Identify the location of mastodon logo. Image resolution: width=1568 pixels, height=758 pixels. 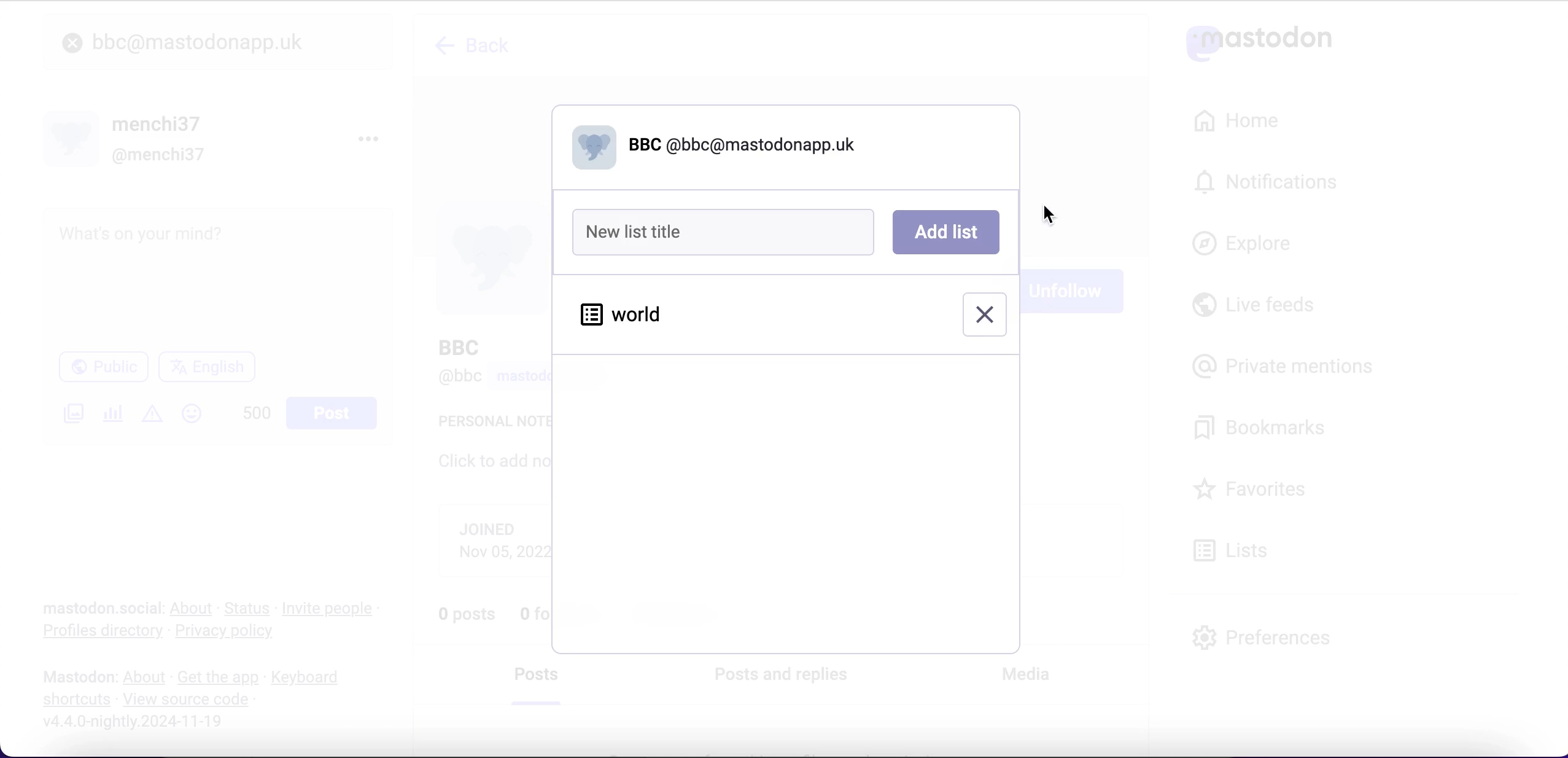
(1259, 40).